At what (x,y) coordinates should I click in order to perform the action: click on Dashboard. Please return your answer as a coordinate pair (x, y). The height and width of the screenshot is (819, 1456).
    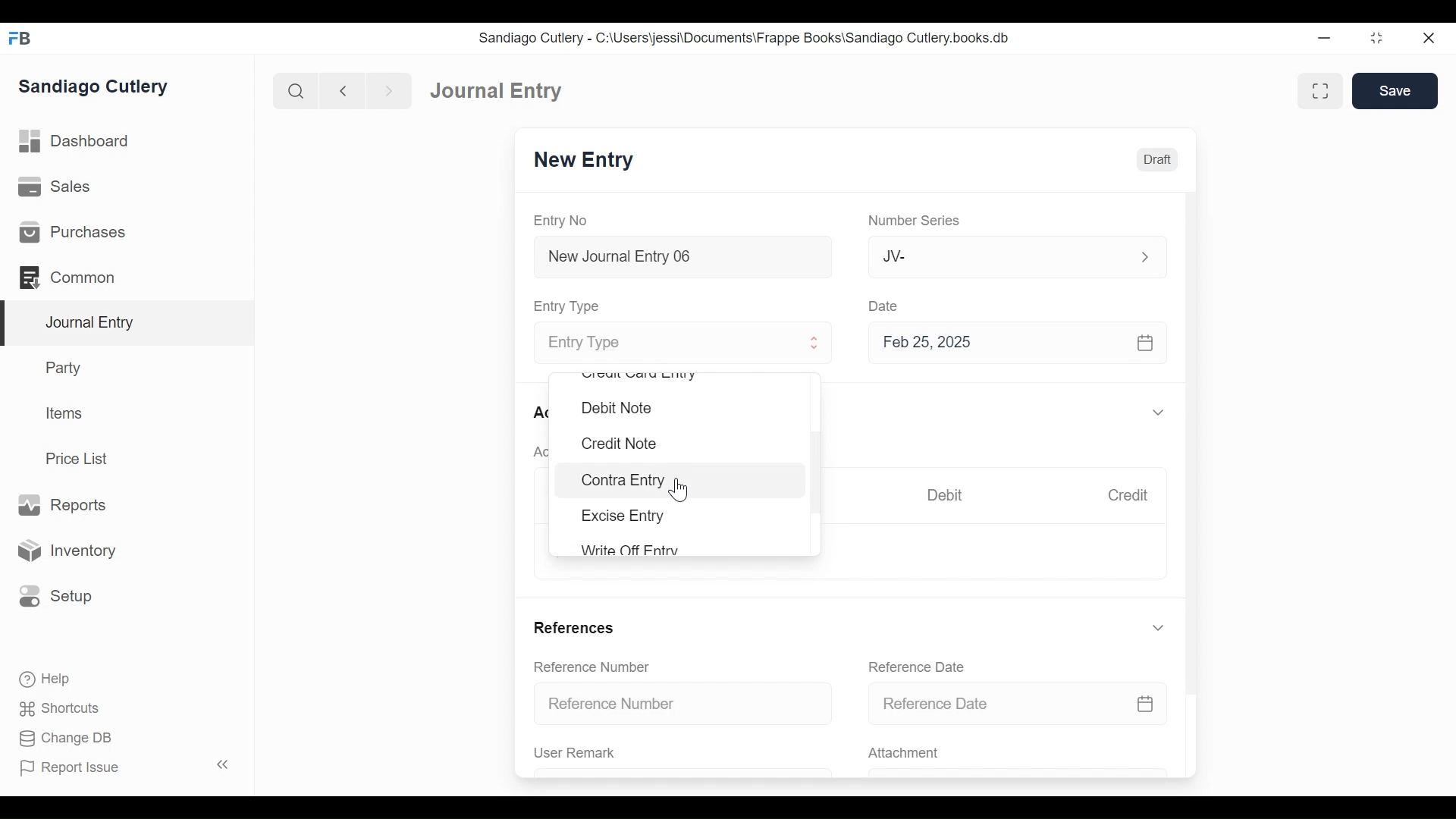
    Looking at the image, I should click on (76, 142).